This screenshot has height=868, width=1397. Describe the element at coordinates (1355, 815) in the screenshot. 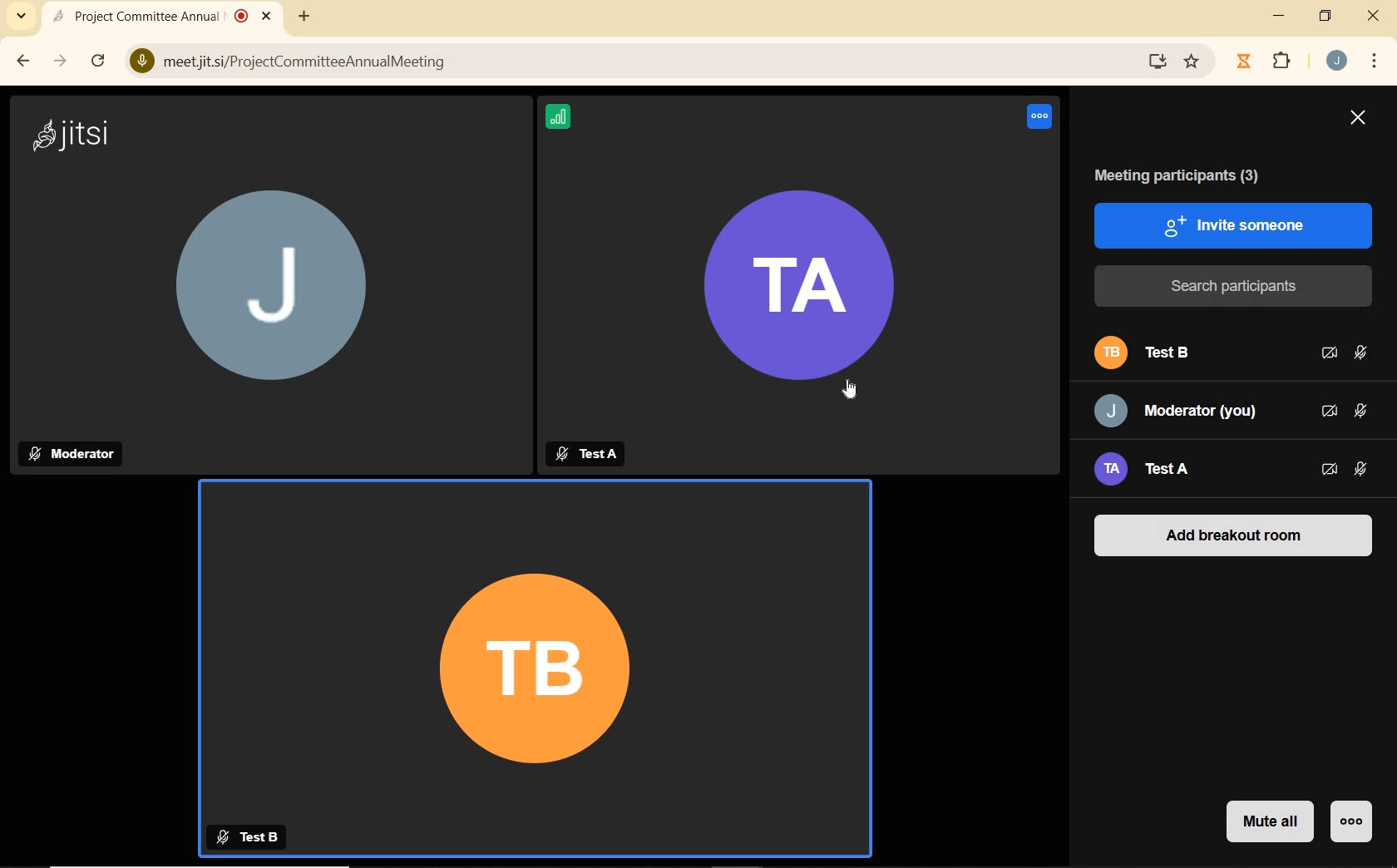

I see `MORE ACTIONS` at that location.